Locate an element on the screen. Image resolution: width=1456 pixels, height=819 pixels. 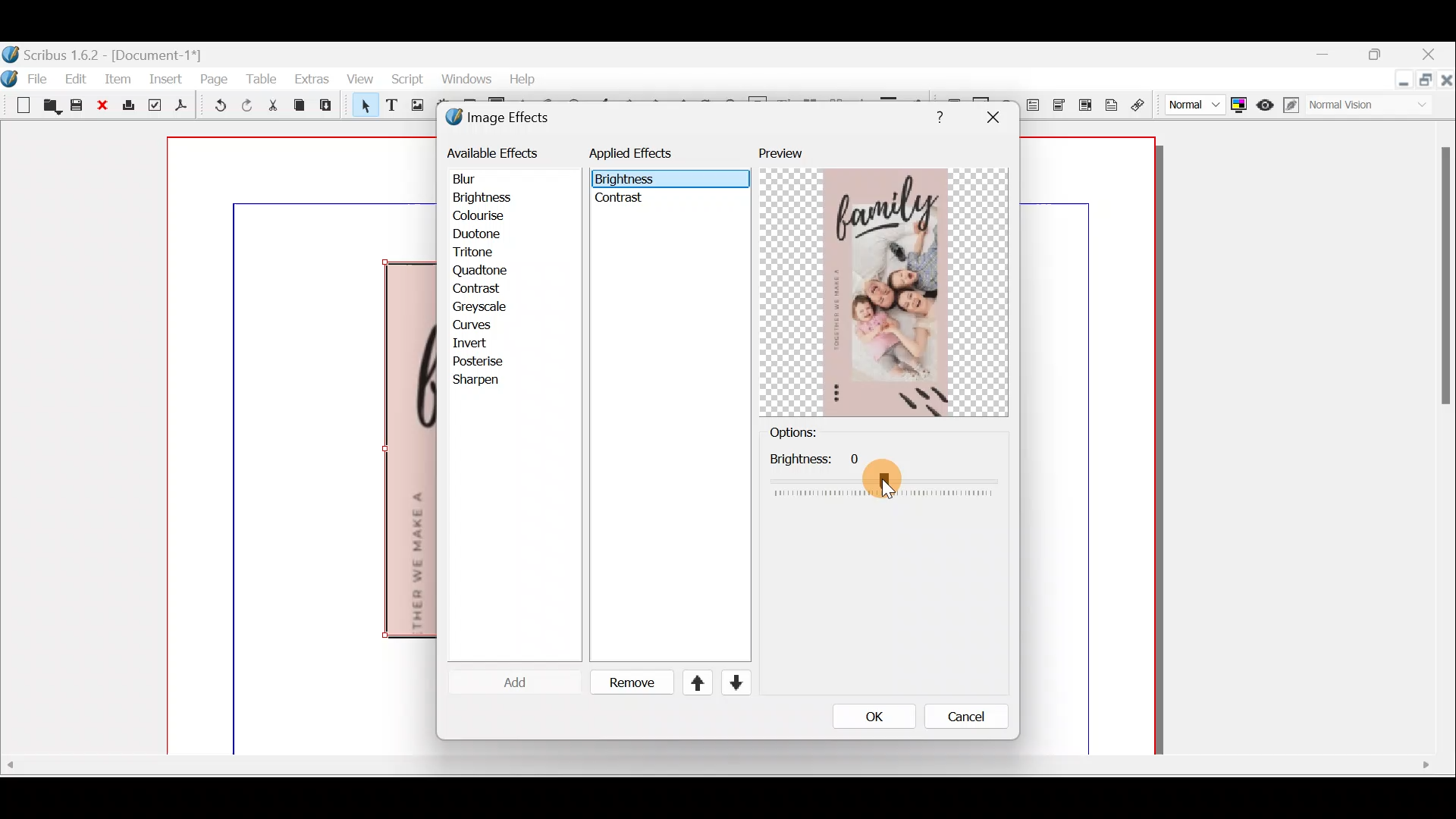
 is located at coordinates (1442, 283).